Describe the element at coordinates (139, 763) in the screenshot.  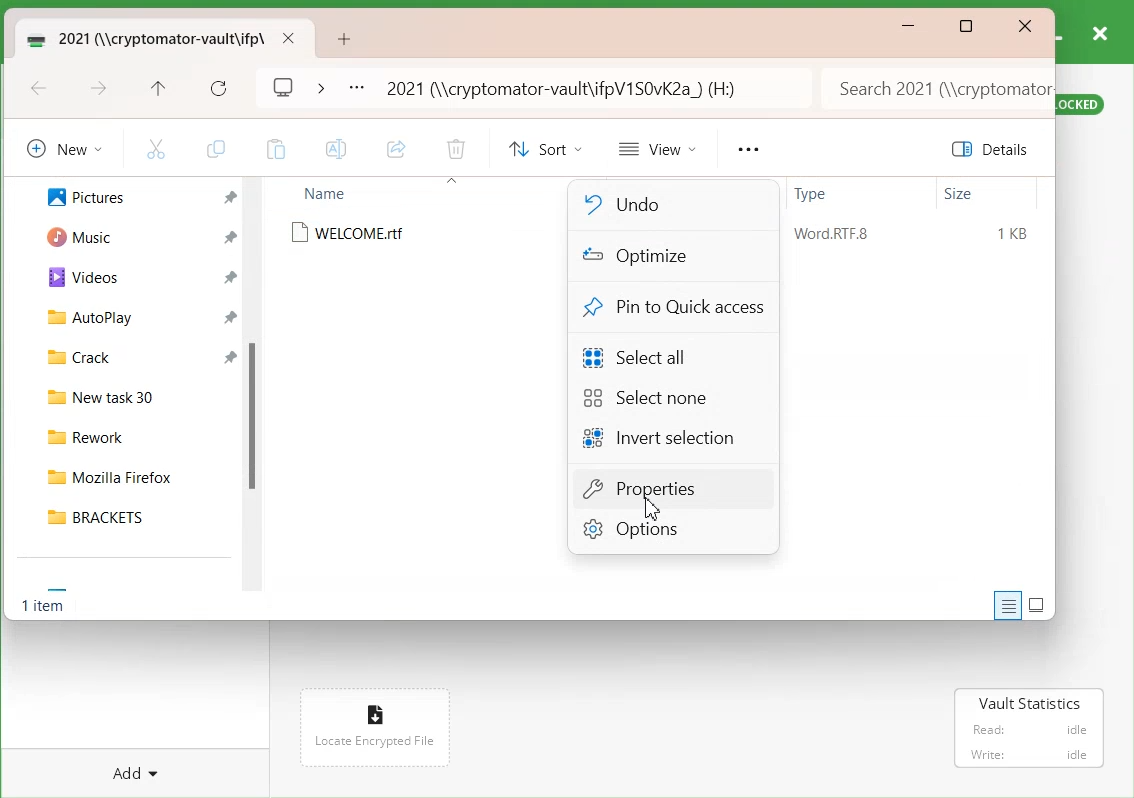
I see `Add` at that location.